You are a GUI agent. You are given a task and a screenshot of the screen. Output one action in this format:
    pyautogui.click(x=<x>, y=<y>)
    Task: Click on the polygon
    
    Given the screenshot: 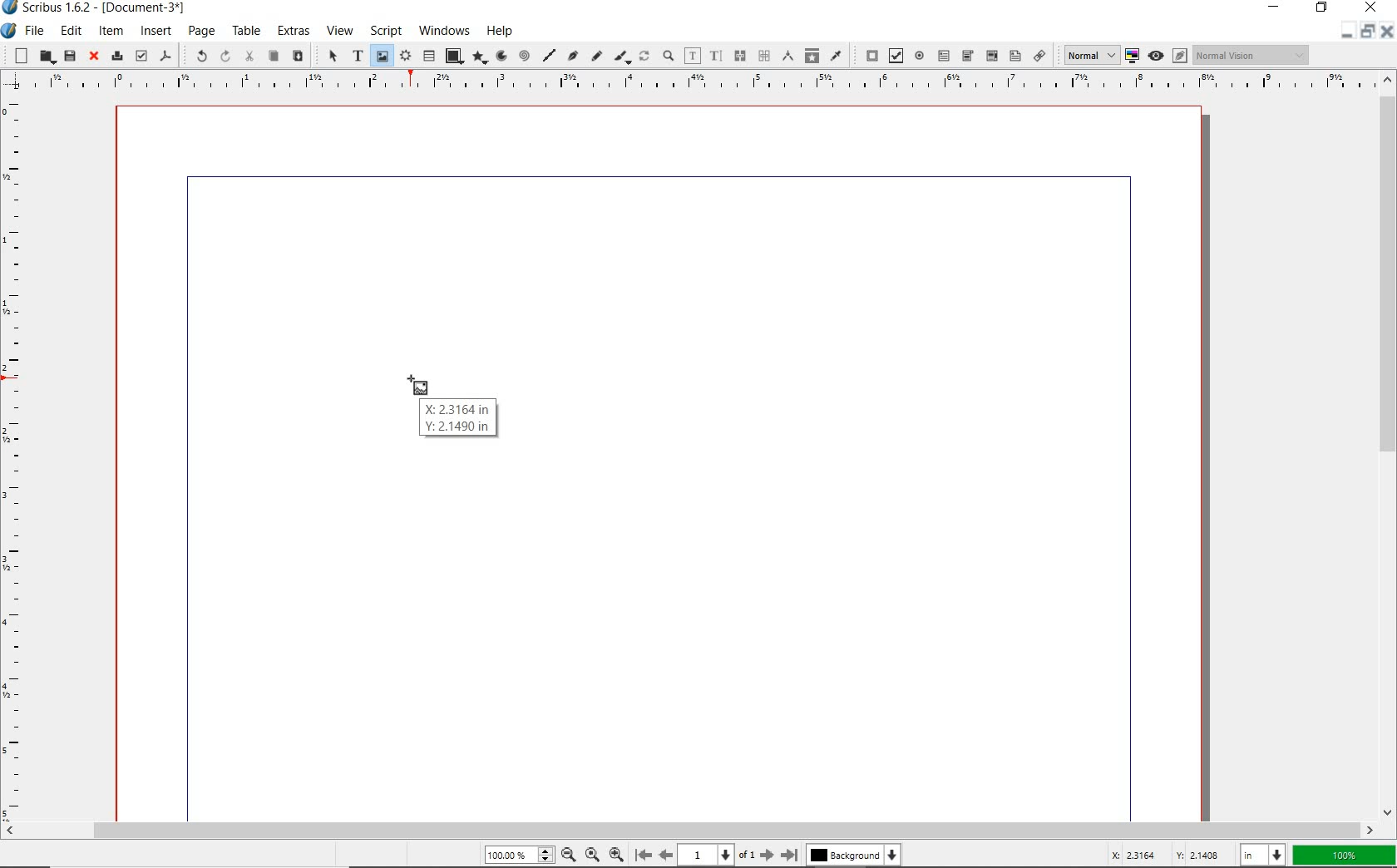 What is the action you would take?
    pyautogui.click(x=480, y=57)
    